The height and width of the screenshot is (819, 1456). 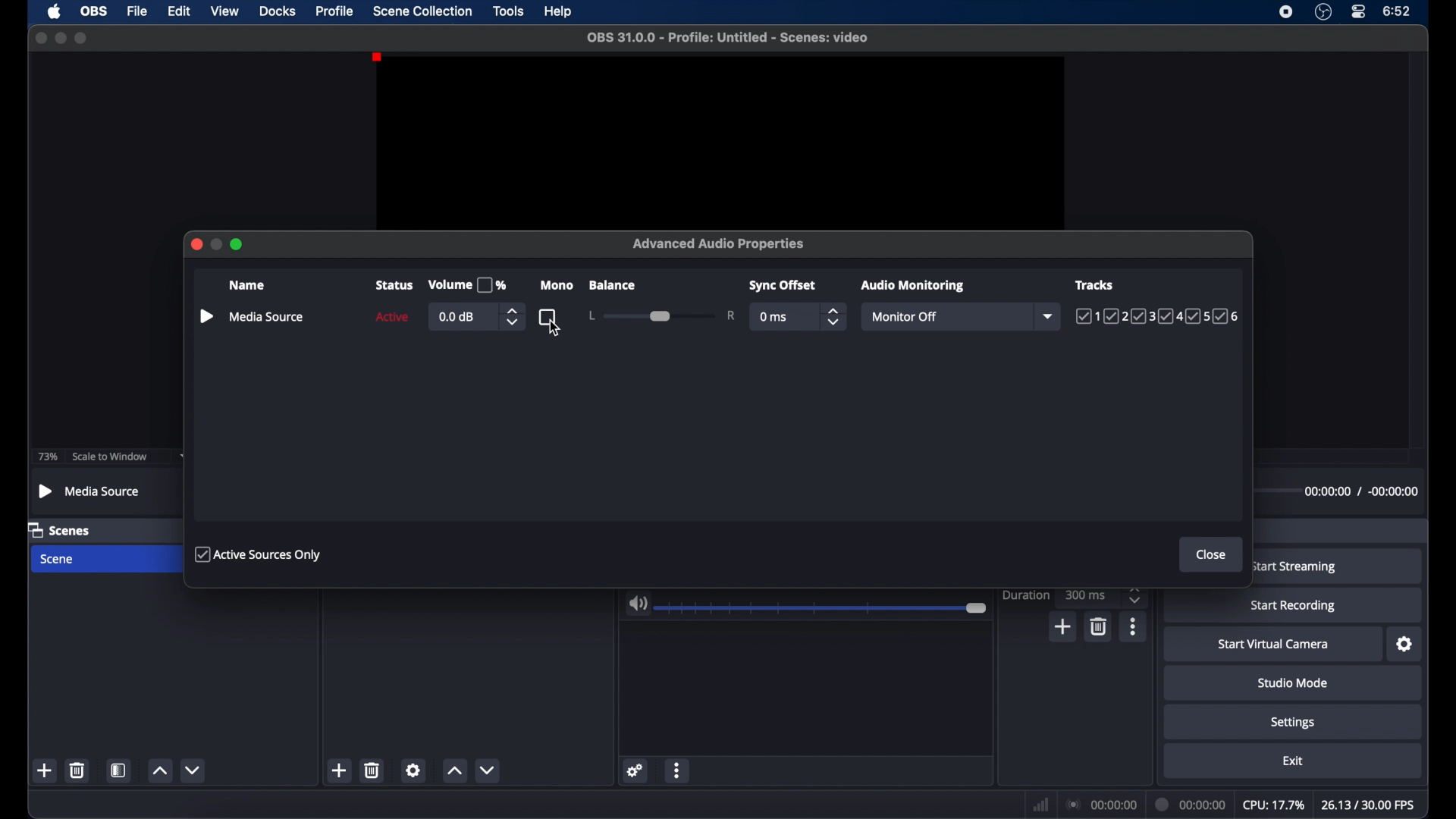 I want to click on scene filters, so click(x=119, y=770).